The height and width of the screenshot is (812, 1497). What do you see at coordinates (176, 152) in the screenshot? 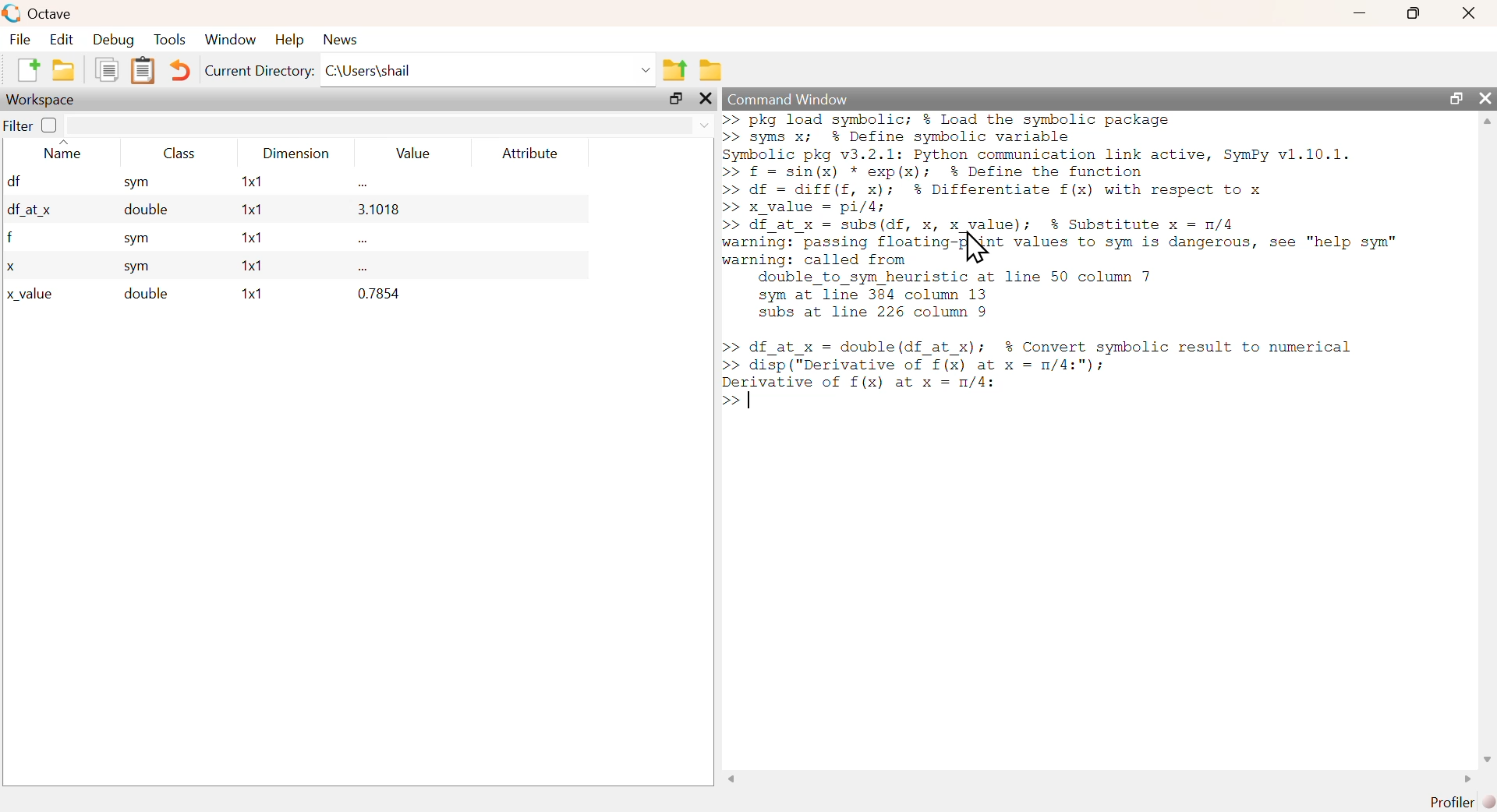
I see `Class` at bounding box center [176, 152].